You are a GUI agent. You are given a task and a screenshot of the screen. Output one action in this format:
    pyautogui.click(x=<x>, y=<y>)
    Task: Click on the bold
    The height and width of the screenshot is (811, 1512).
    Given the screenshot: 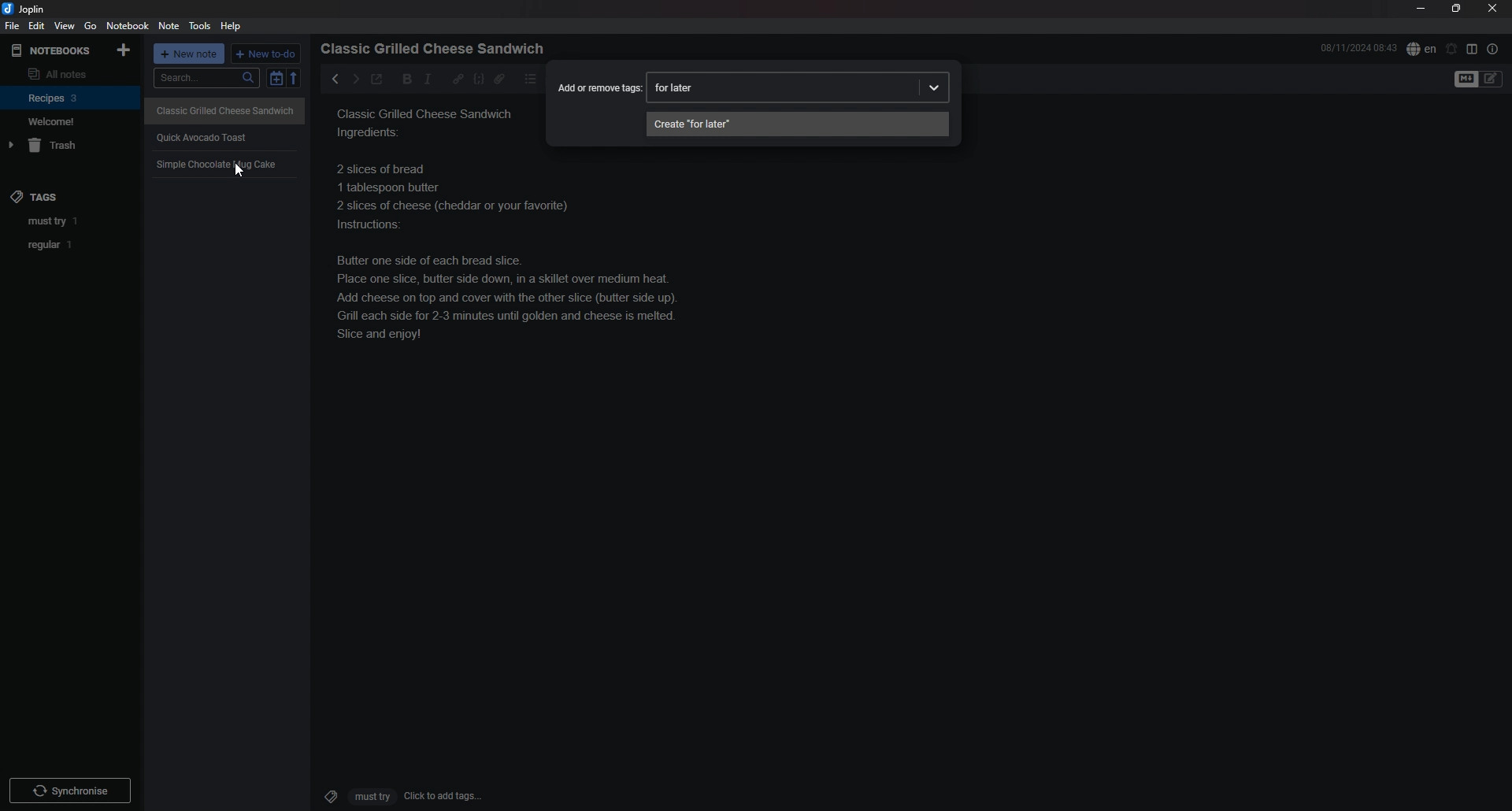 What is the action you would take?
    pyautogui.click(x=402, y=80)
    